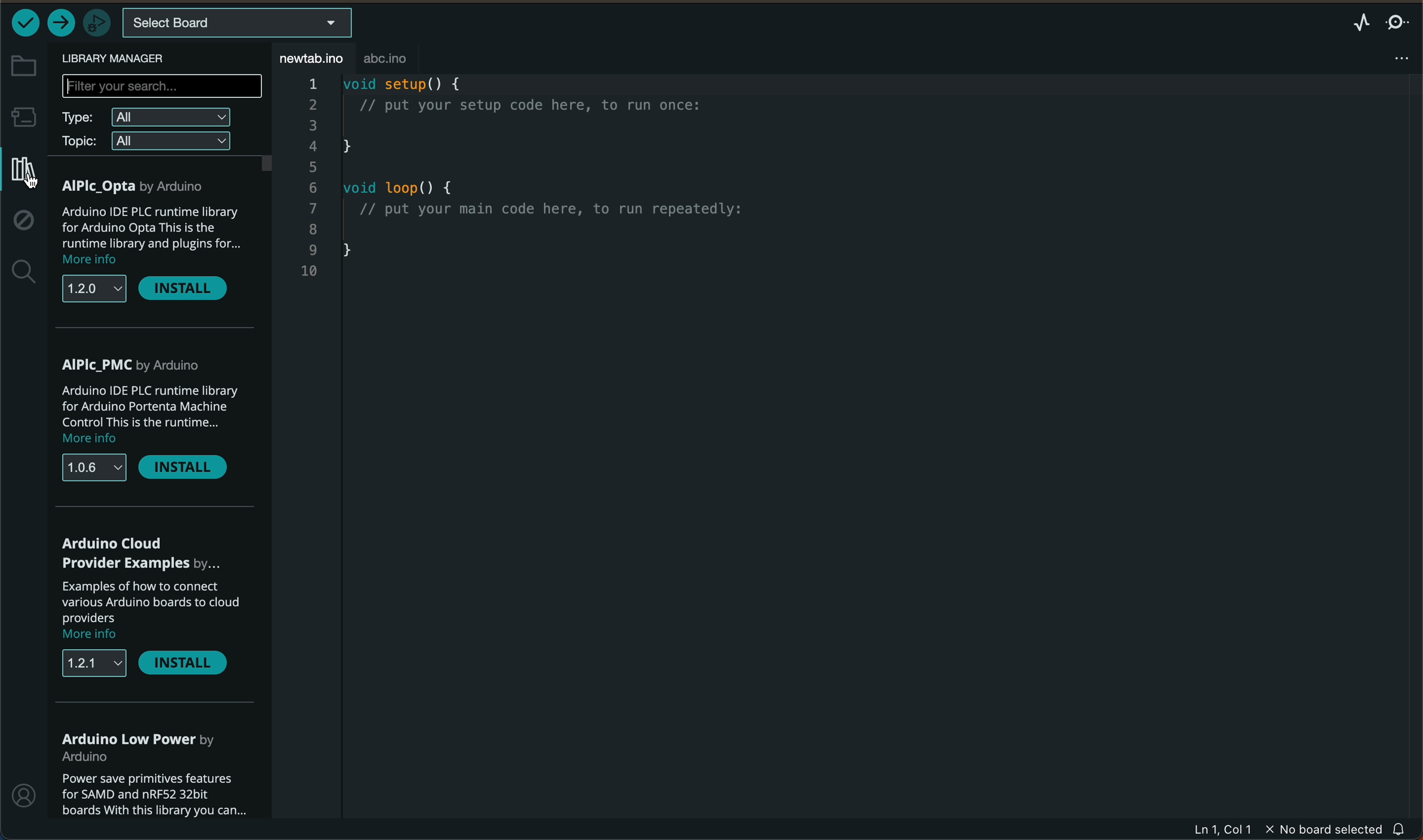 The height and width of the screenshot is (840, 1423). I want to click on install, so click(188, 664).